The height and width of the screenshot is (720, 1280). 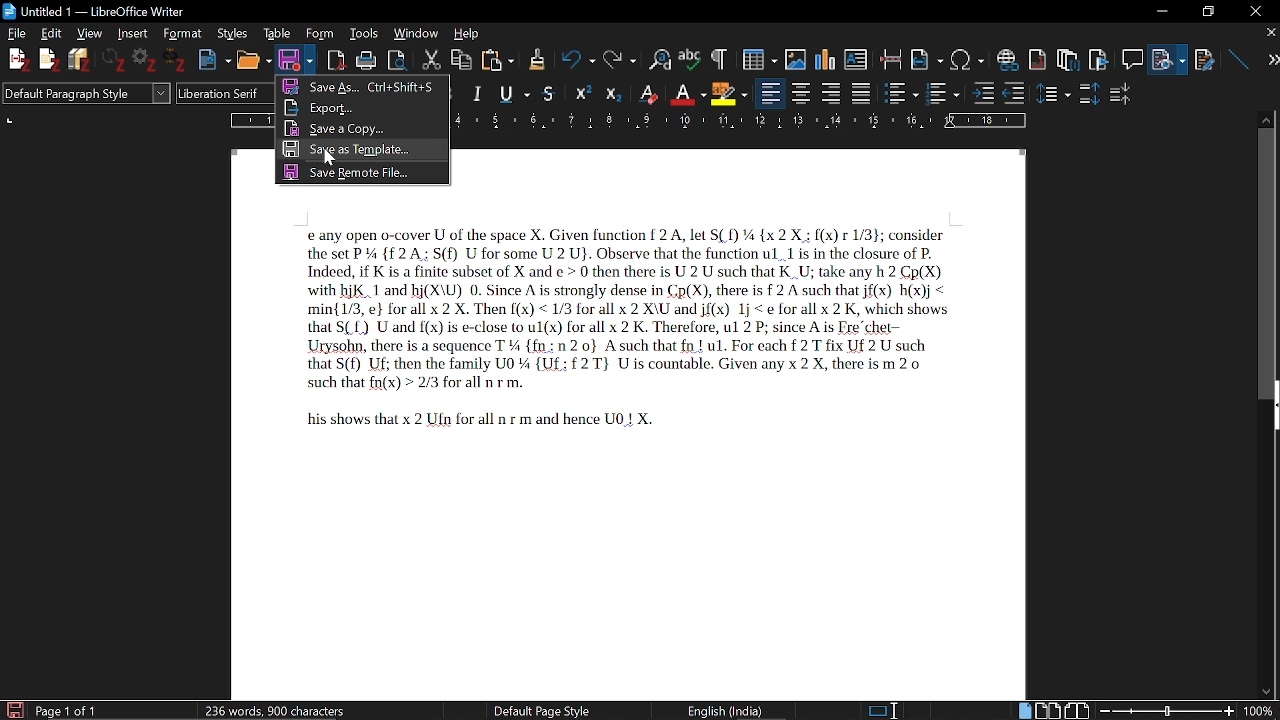 I want to click on Insert symbol, so click(x=968, y=58).